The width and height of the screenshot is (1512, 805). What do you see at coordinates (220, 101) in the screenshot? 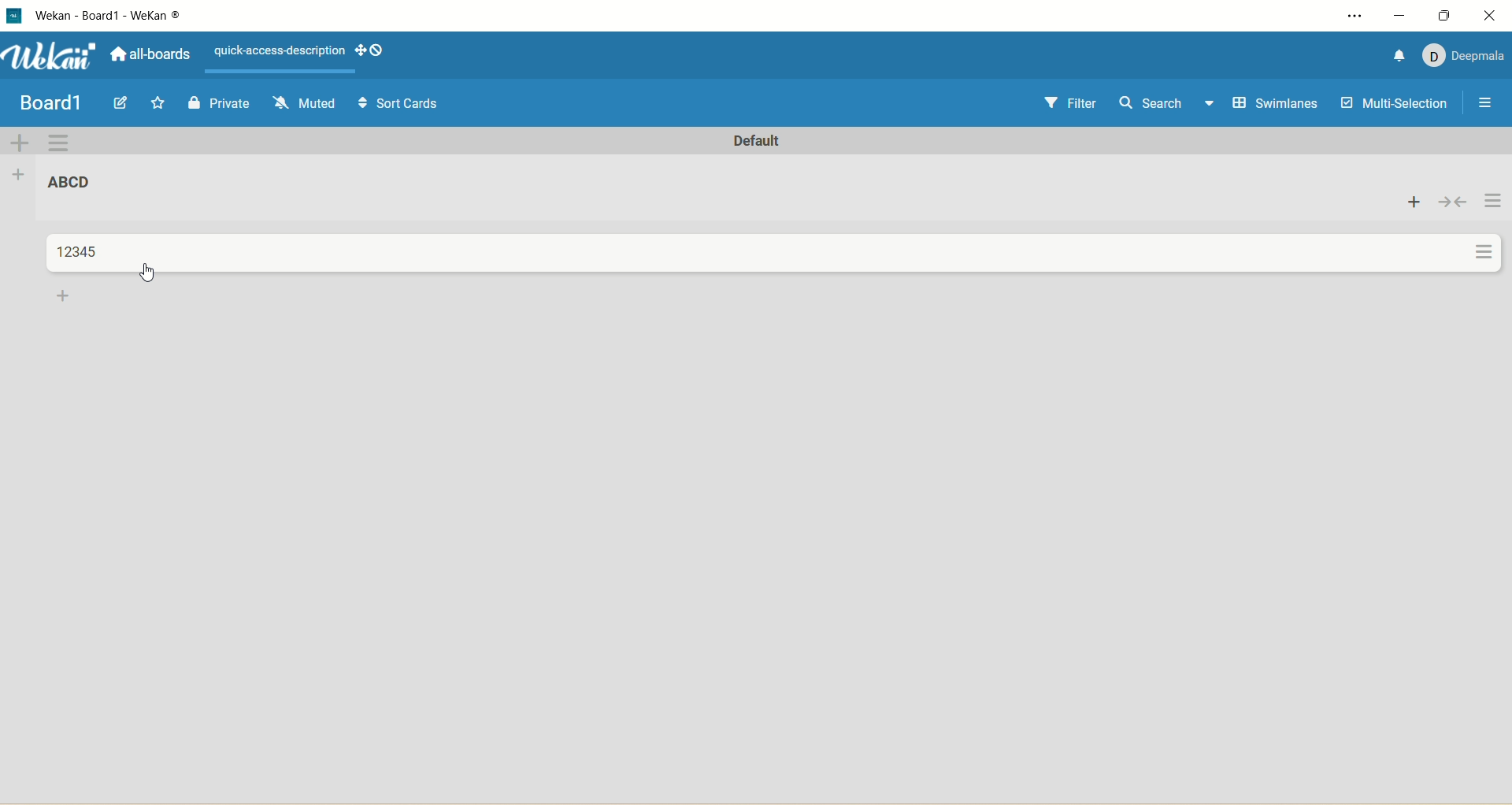
I see `private` at bounding box center [220, 101].